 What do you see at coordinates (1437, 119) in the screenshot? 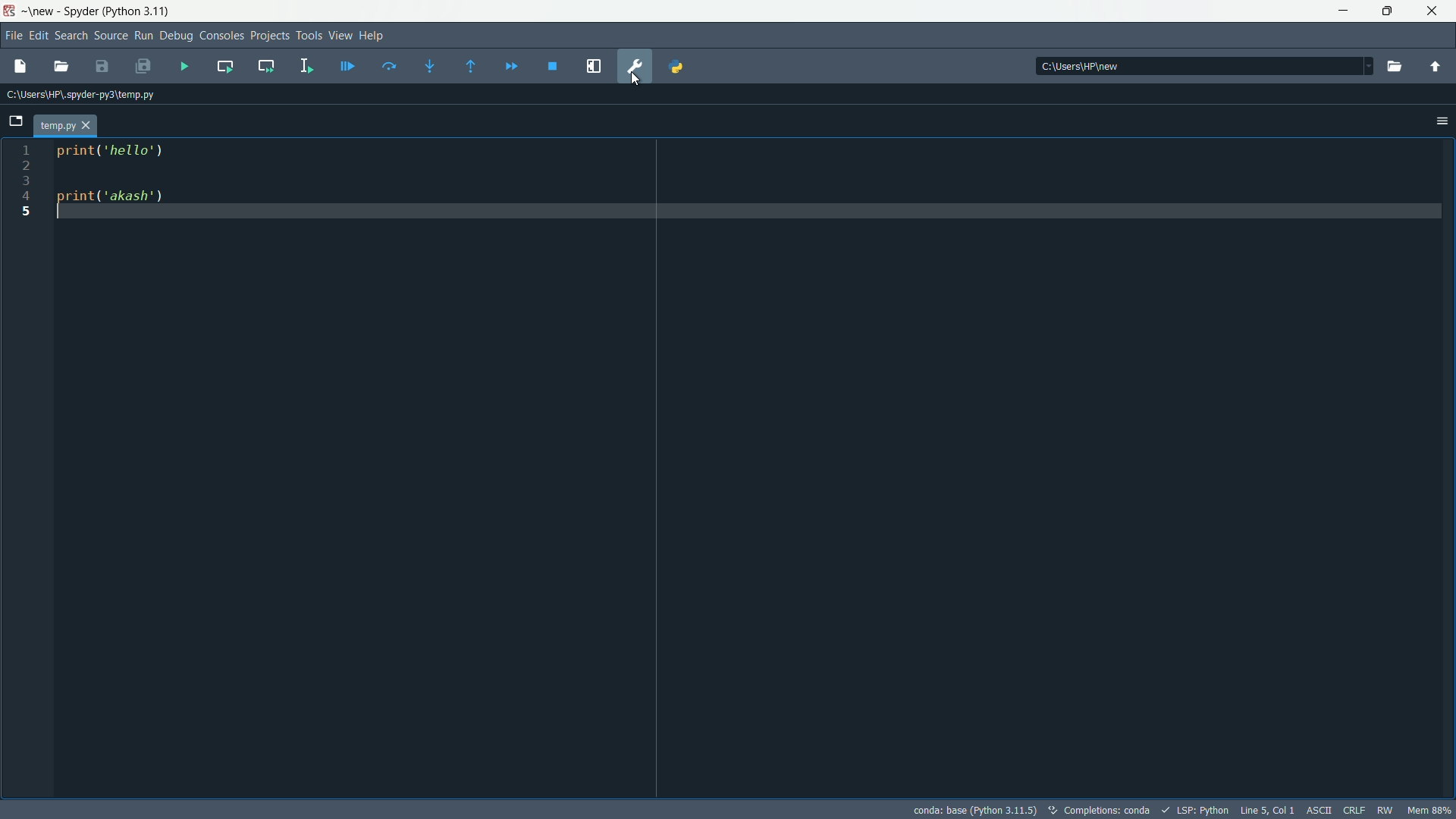
I see `options` at bounding box center [1437, 119].